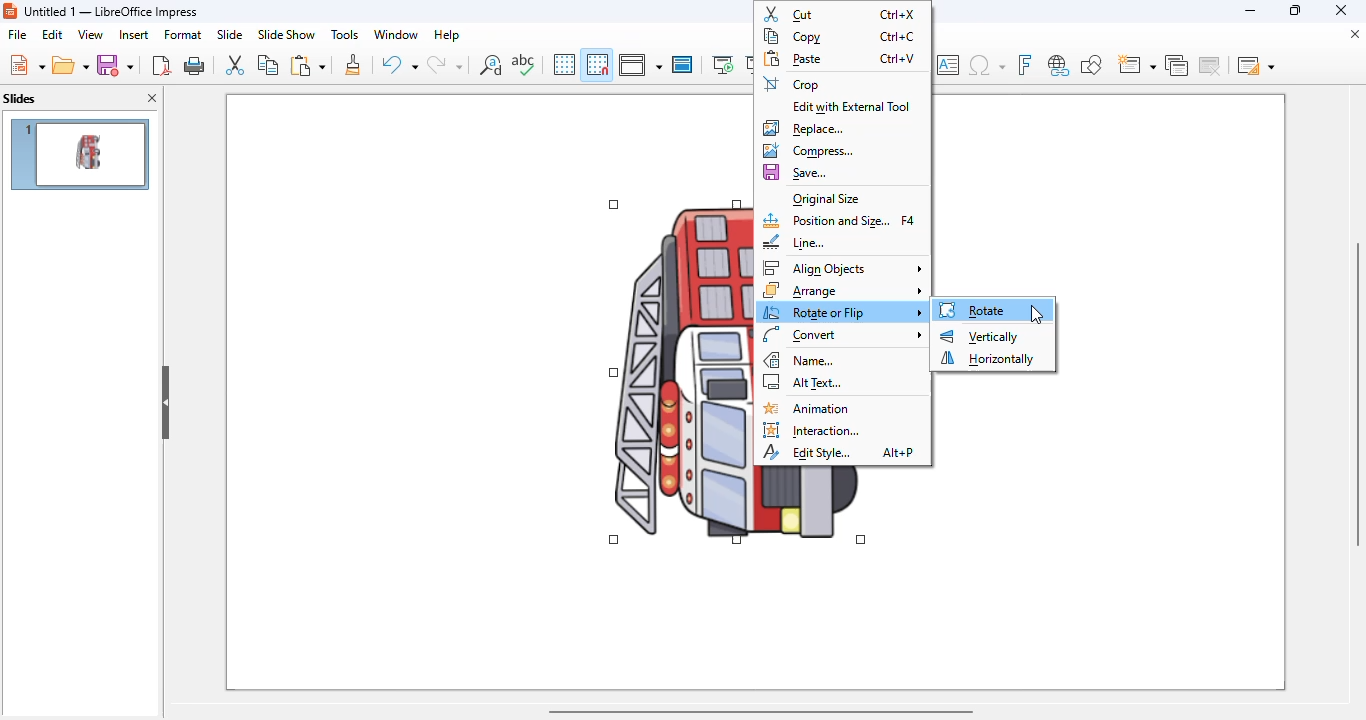 This screenshot has width=1366, height=720. Describe the element at coordinates (447, 34) in the screenshot. I see `help` at that location.